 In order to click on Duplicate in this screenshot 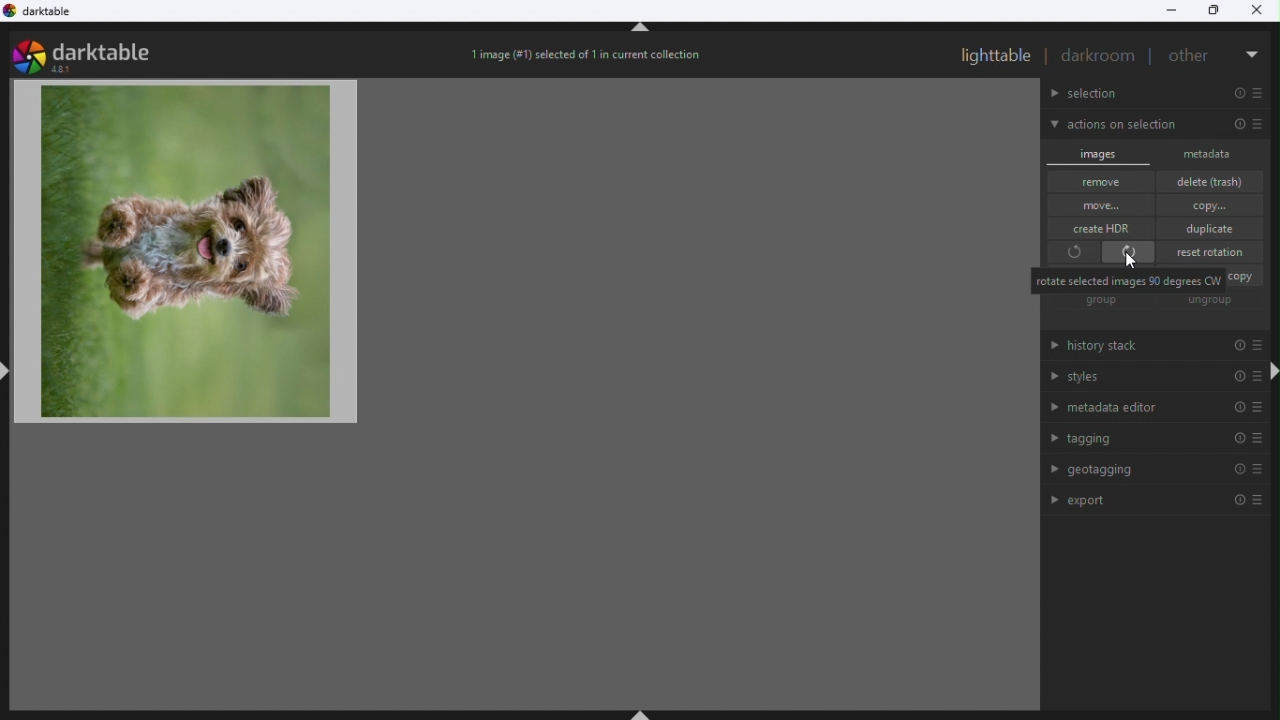, I will do `click(1214, 228)`.